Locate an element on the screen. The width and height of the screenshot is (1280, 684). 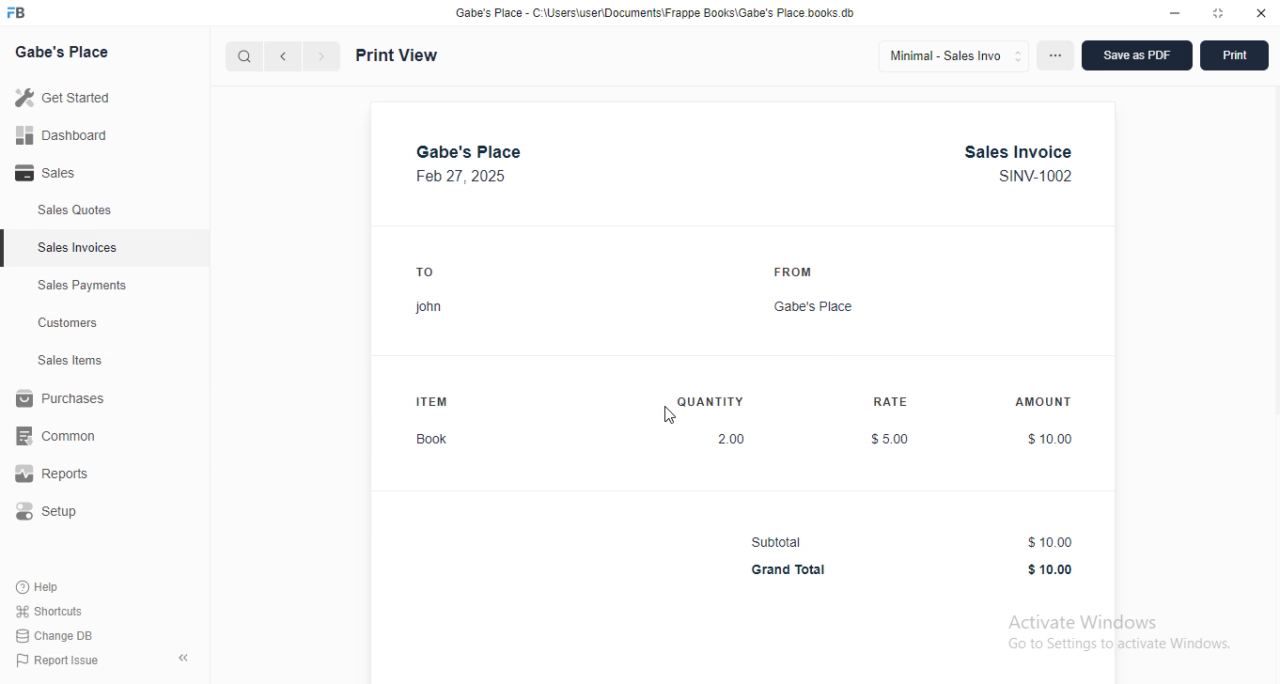
FROM is located at coordinates (795, 272).